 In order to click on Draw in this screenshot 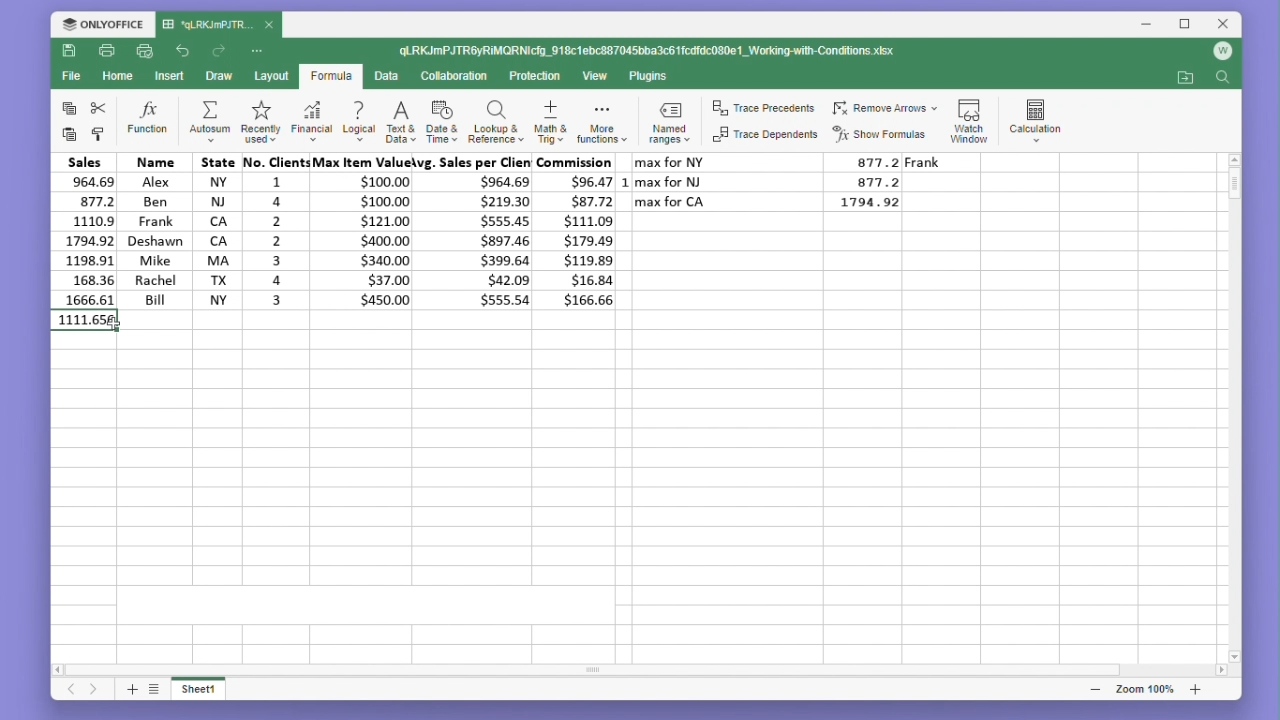, I will do `click(218, 76)`.